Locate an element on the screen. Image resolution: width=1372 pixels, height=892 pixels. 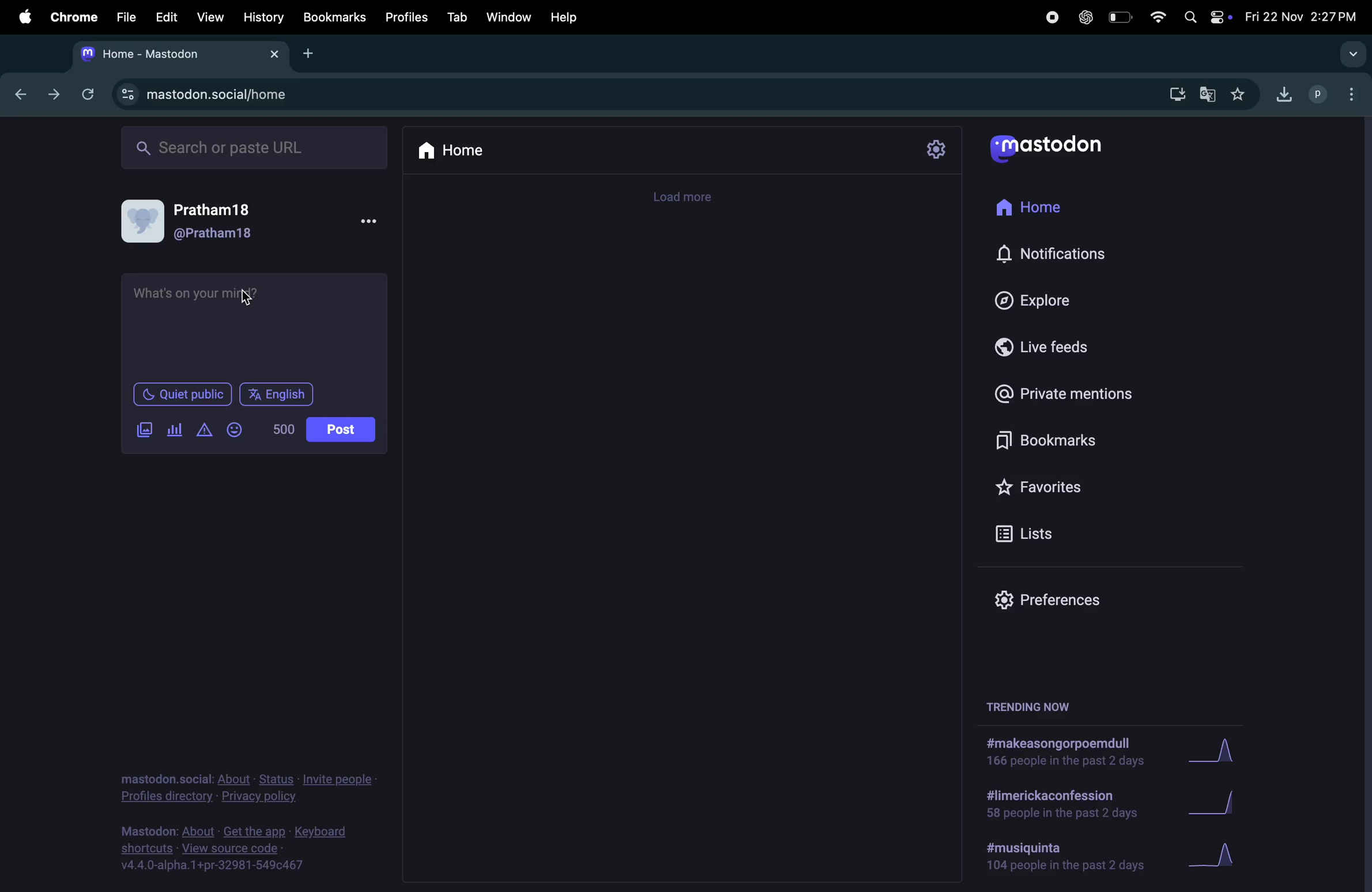
hashtags is located at coordinates (1066, 751).